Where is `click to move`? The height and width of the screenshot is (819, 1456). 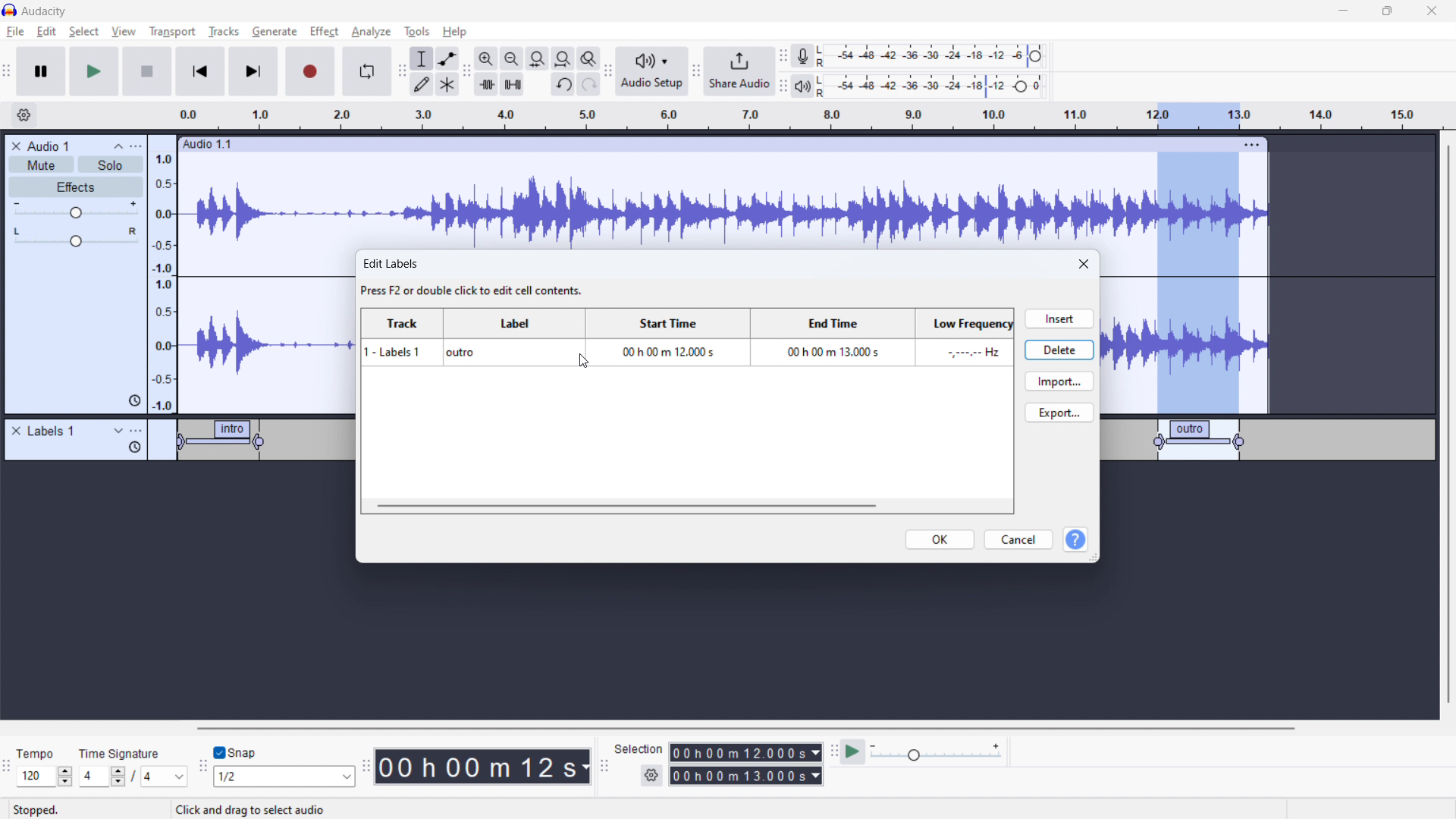
click to move is located at coordinates (708, 145).